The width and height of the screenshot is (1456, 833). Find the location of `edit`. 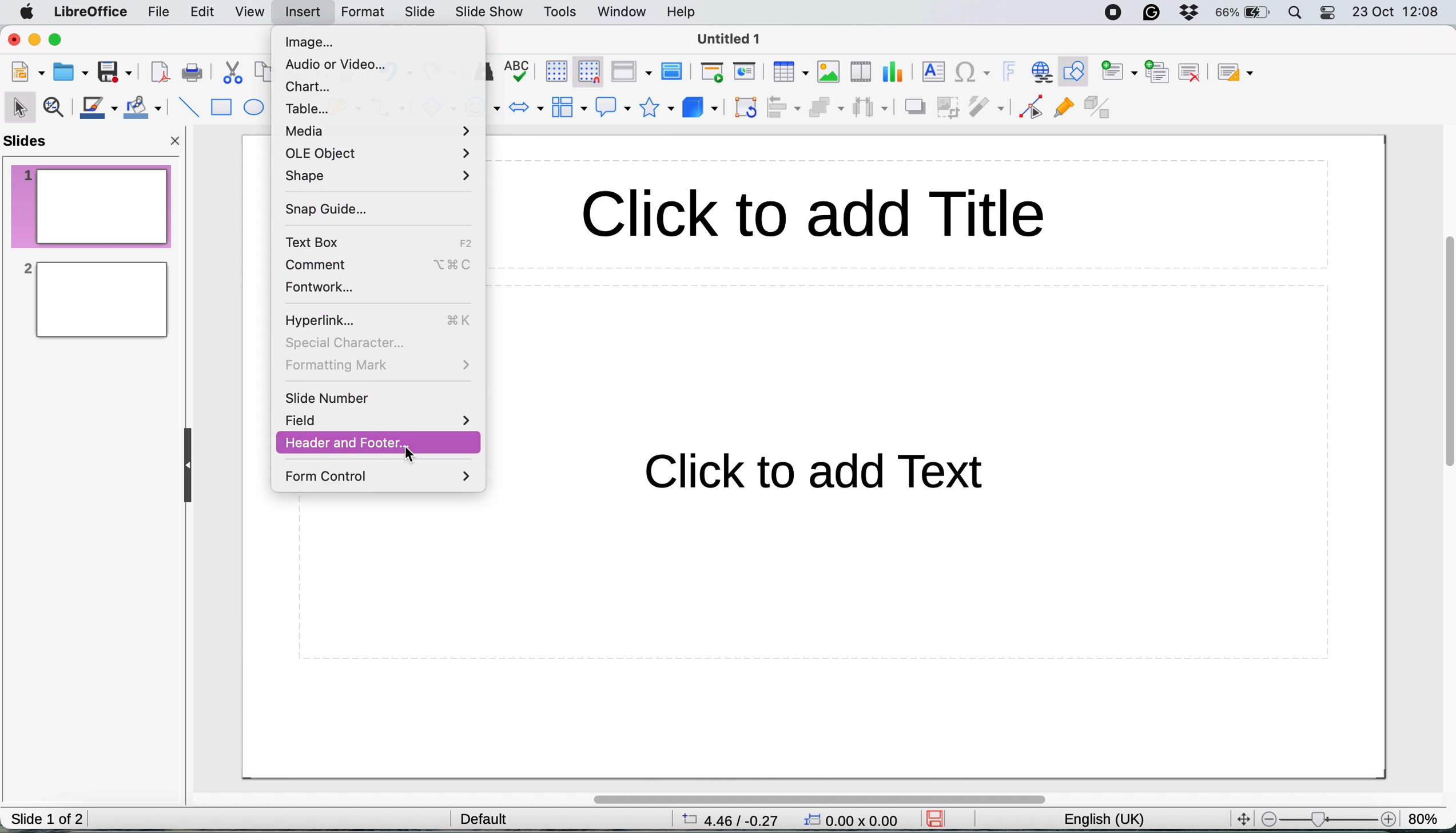

edit is located at coordinates (206, 14).